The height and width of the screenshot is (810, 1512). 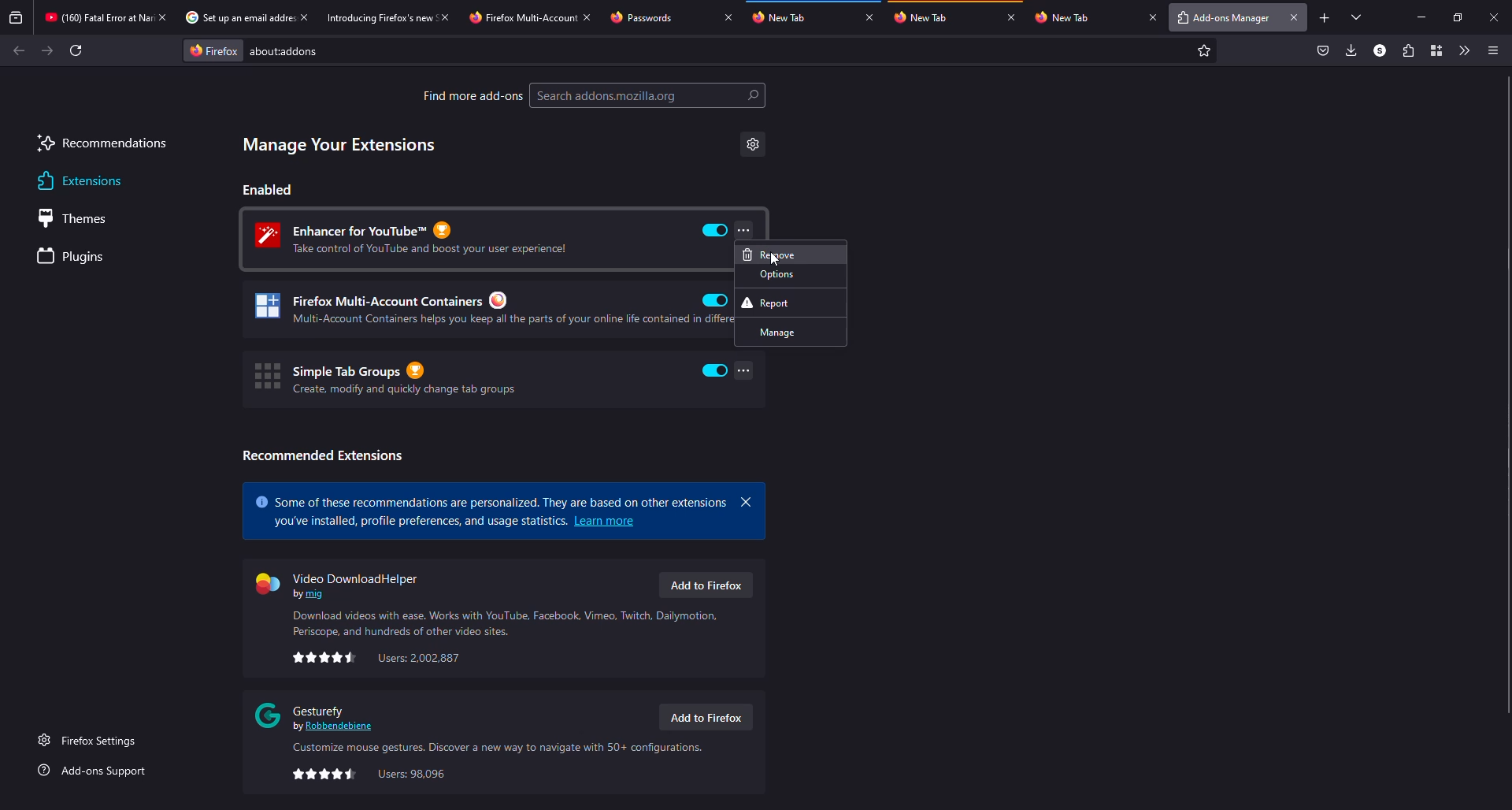 What do you see at coordinates (715, 230) in the screenshot?
I see `enabled` at bounding box center [715, 230].